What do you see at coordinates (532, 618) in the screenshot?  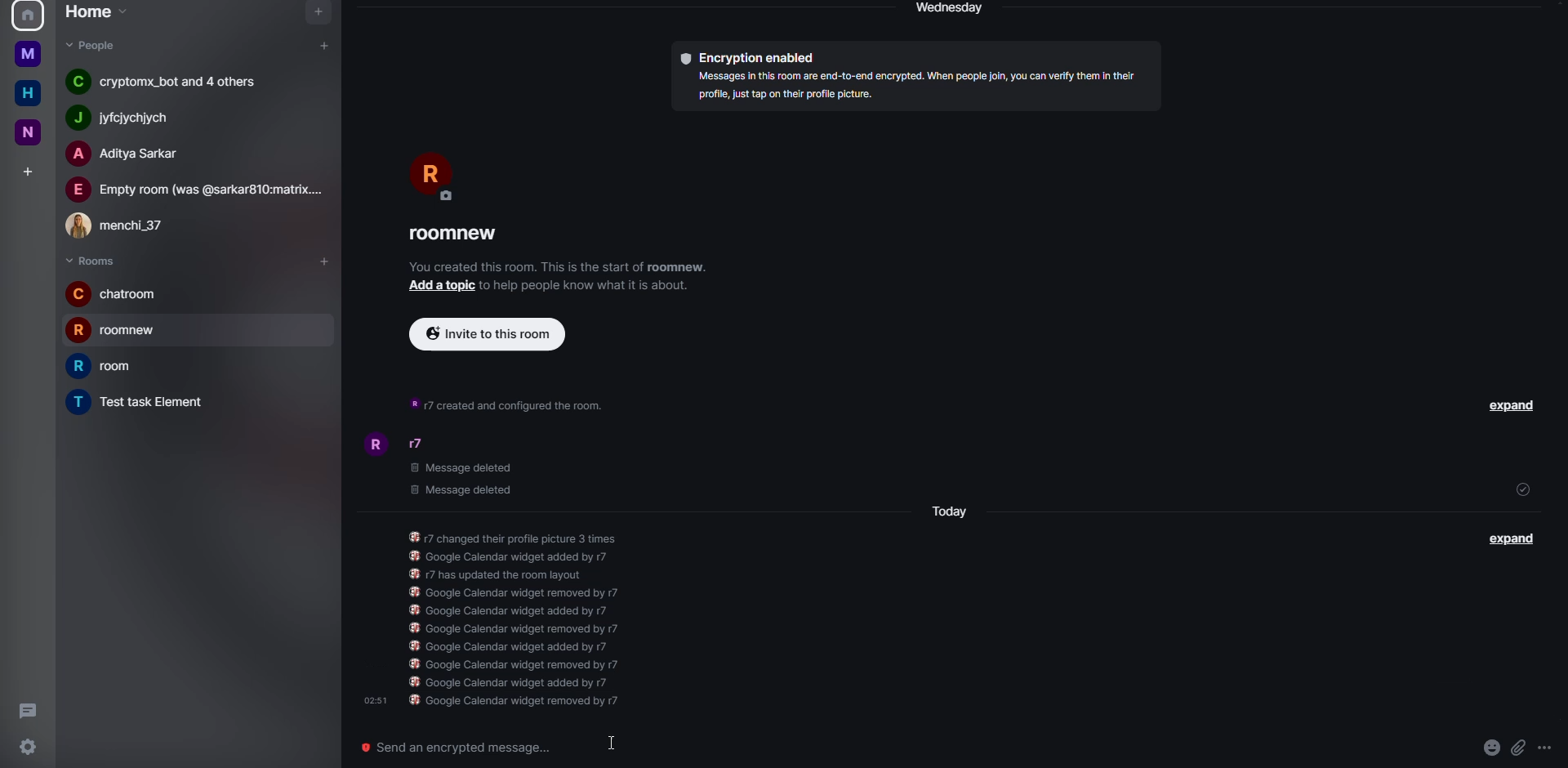 I see `info` at bounding box center [532, 618].